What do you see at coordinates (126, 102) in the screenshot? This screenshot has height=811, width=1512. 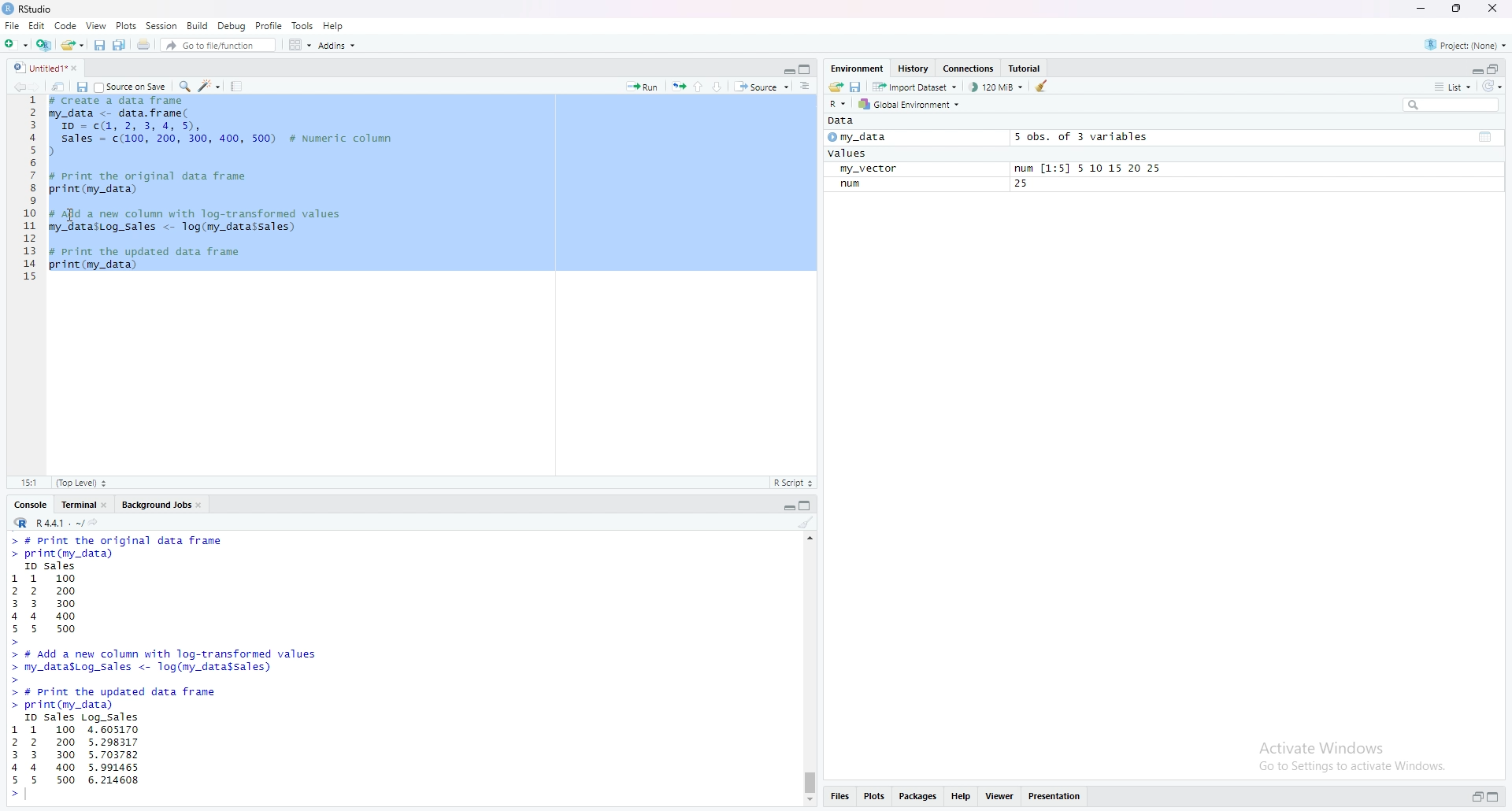 I see `# create a data frame` at bounding box center [126, 102].